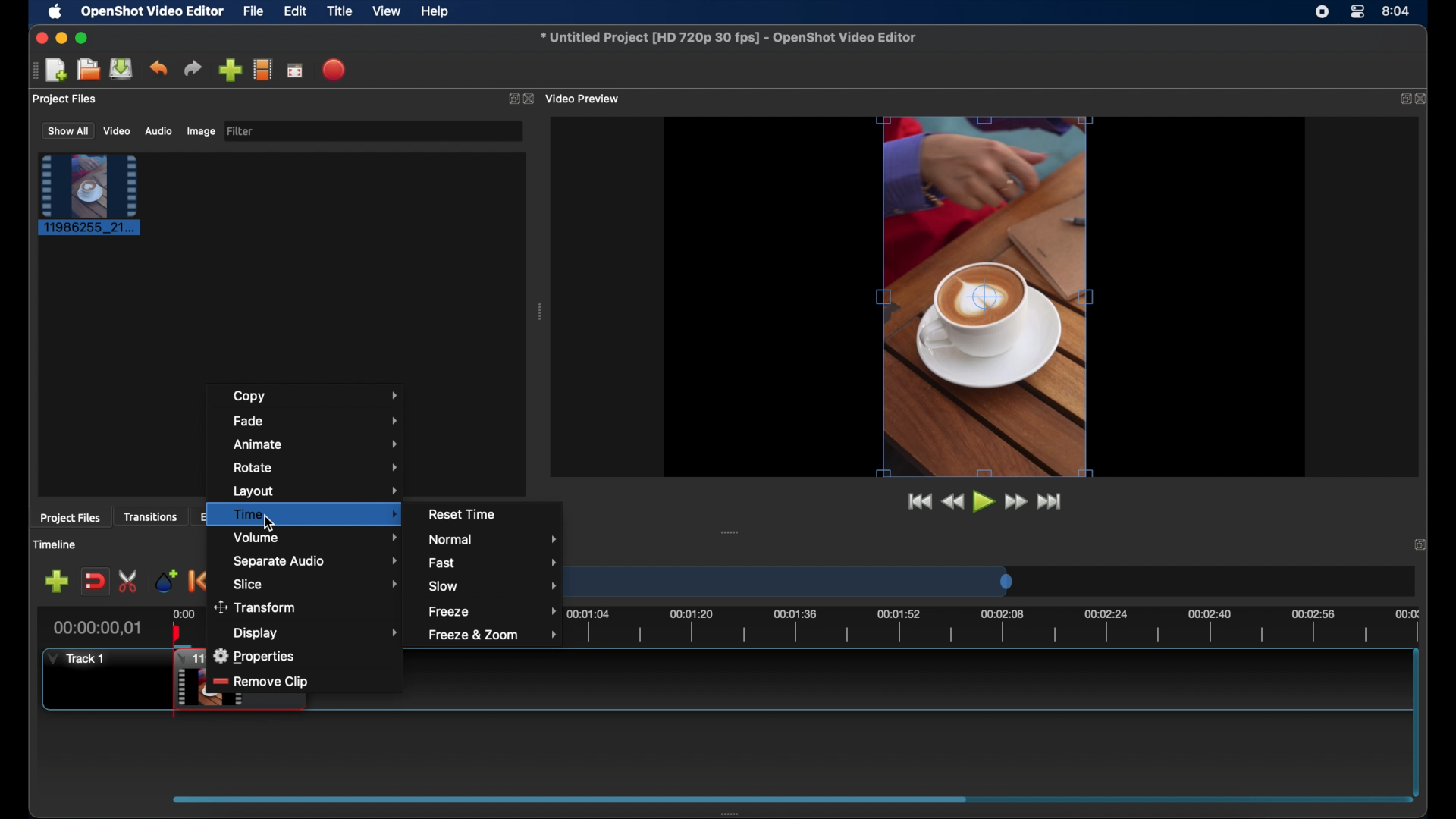 This screenshot has width=1456, height=819. Describe the element at coordinates (83, 38) in the screenshot. I see `maximize` at that location.